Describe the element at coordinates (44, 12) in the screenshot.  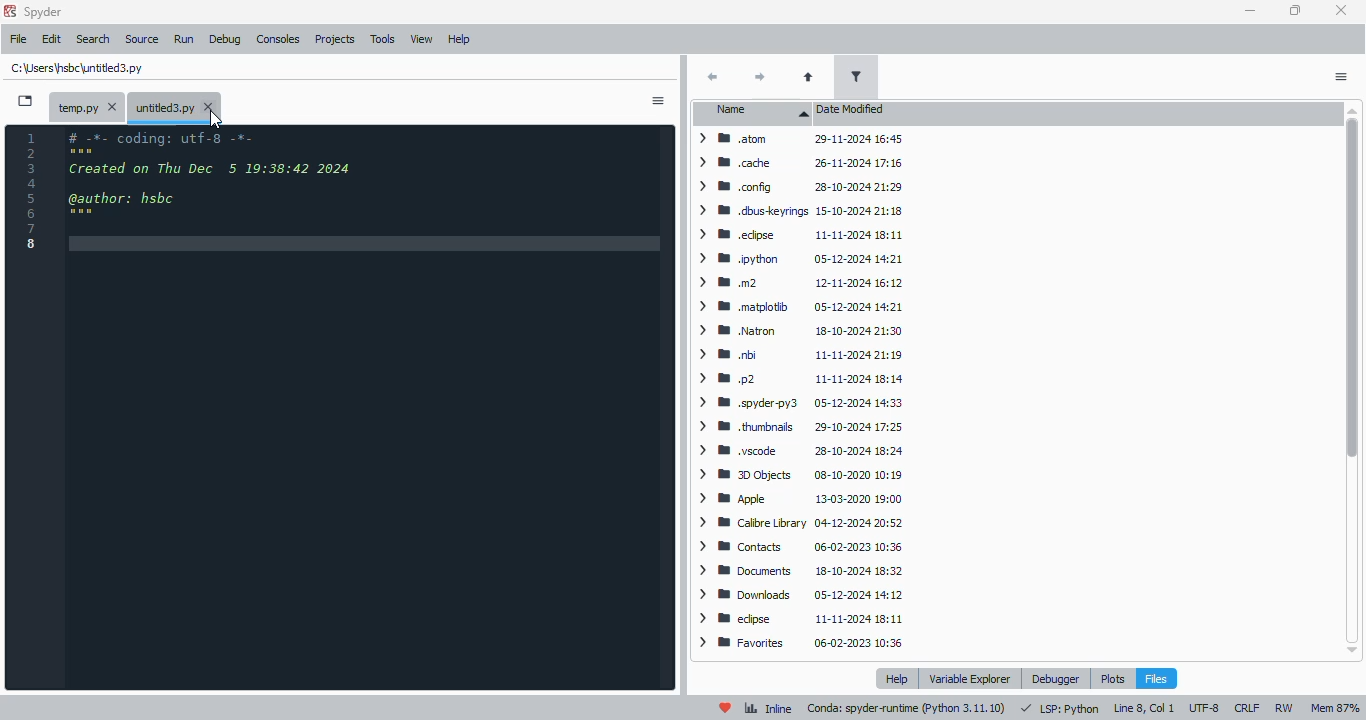
I see `spyder` at that location.